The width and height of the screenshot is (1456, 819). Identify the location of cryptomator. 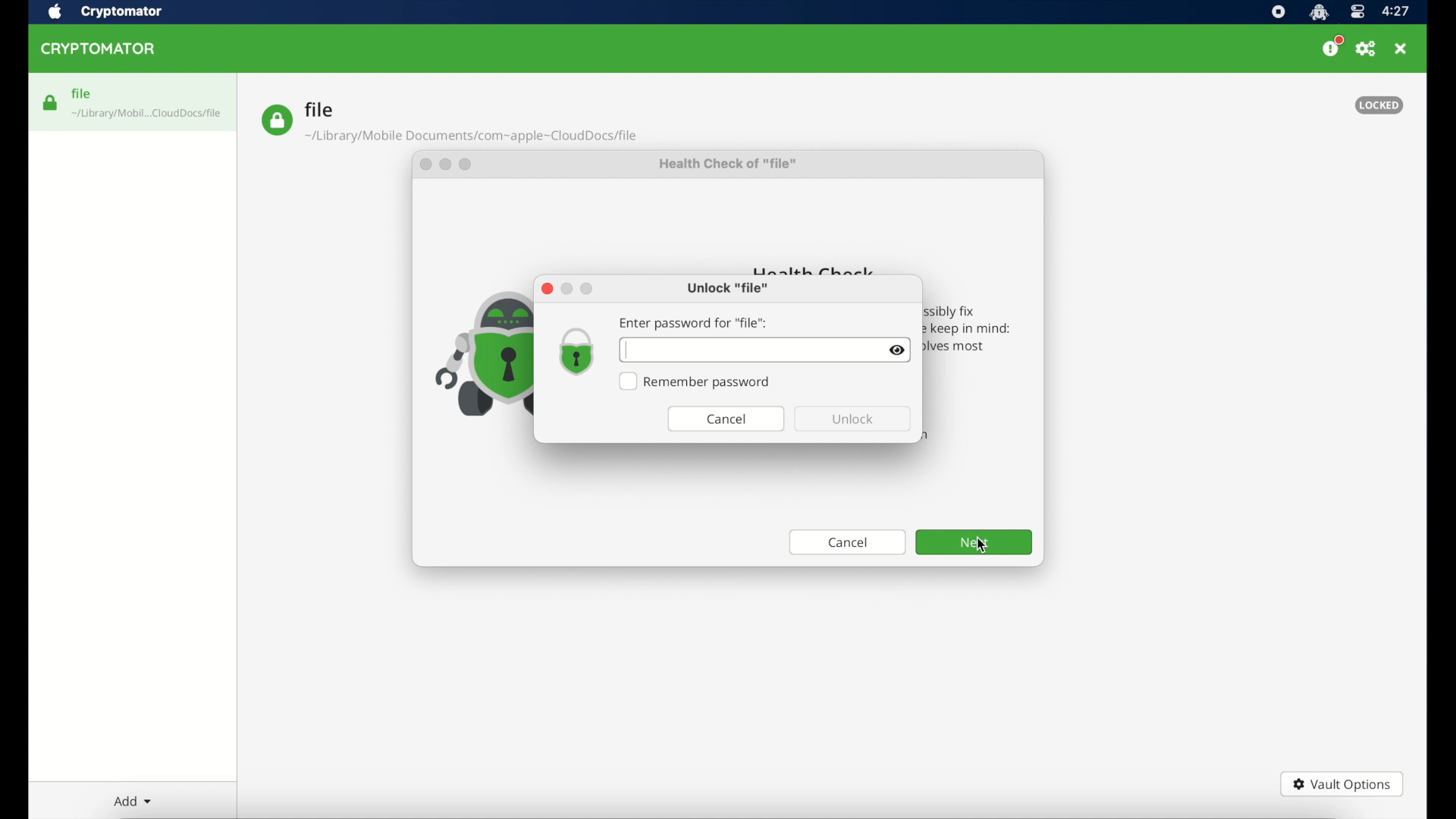
(101, 49).